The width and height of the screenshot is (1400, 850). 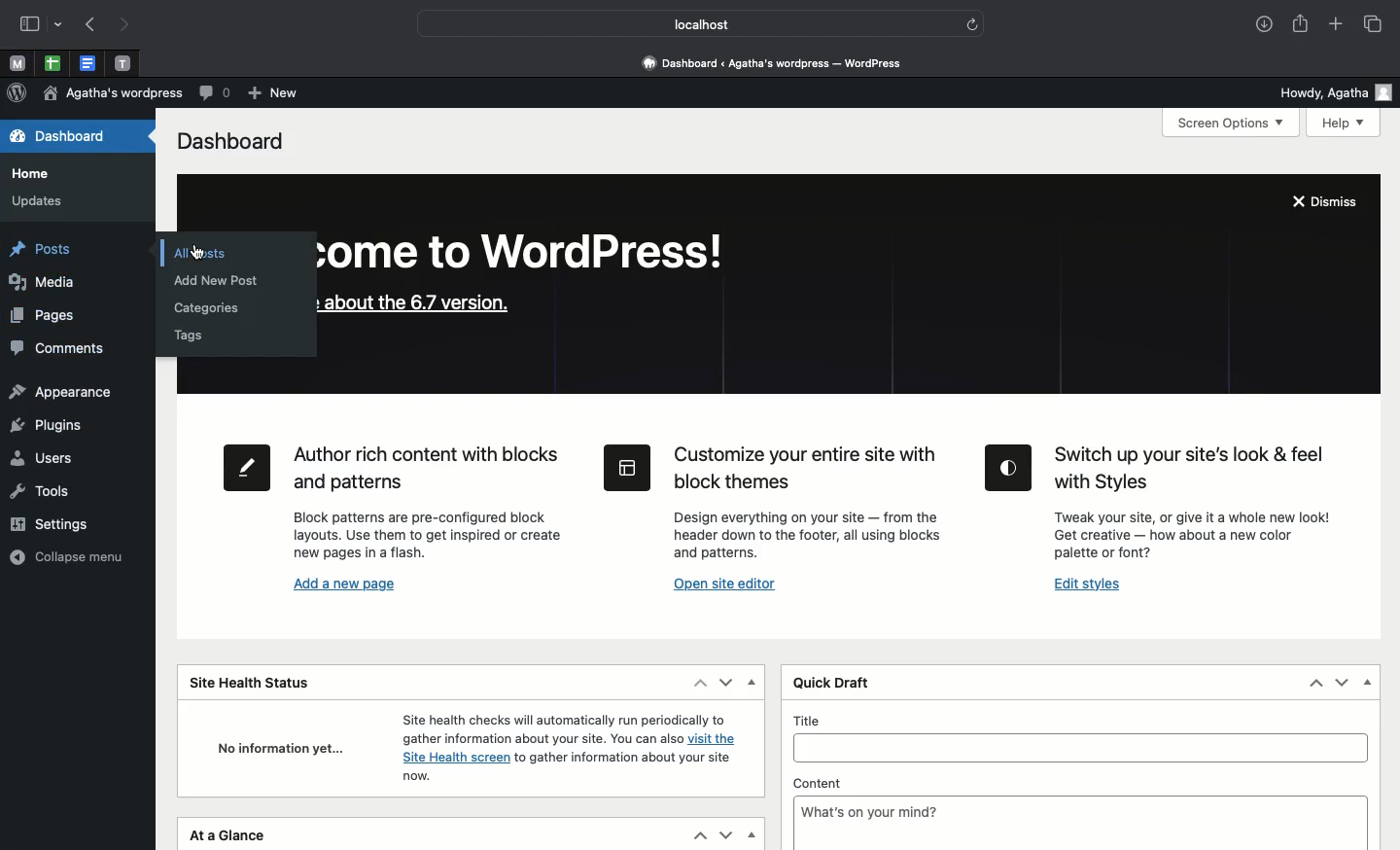 I want to click on , so click(x=415, y=778).